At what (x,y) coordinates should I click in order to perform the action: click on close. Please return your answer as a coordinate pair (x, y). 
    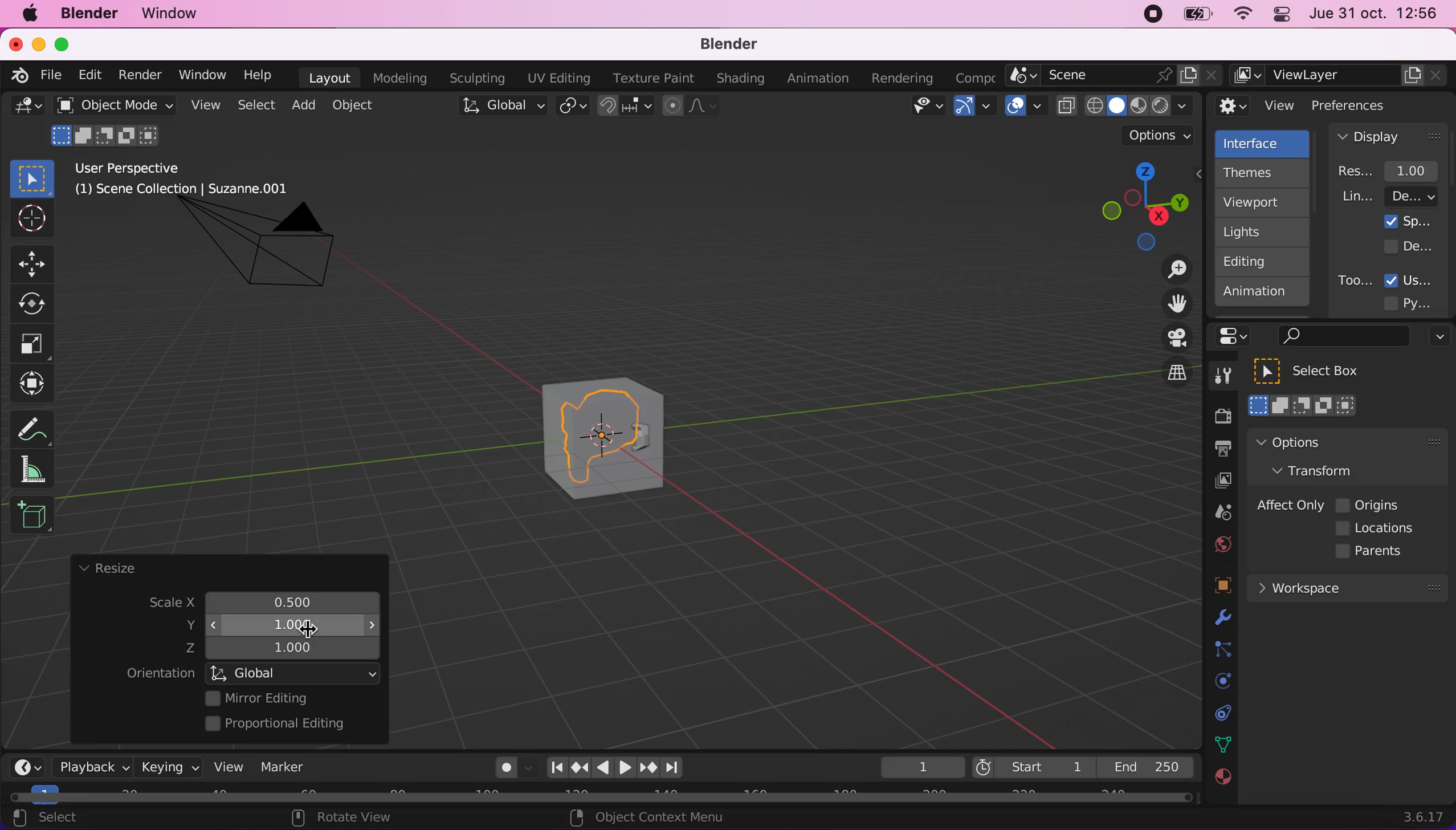
    Looking at the image, I should click on (15, 43).